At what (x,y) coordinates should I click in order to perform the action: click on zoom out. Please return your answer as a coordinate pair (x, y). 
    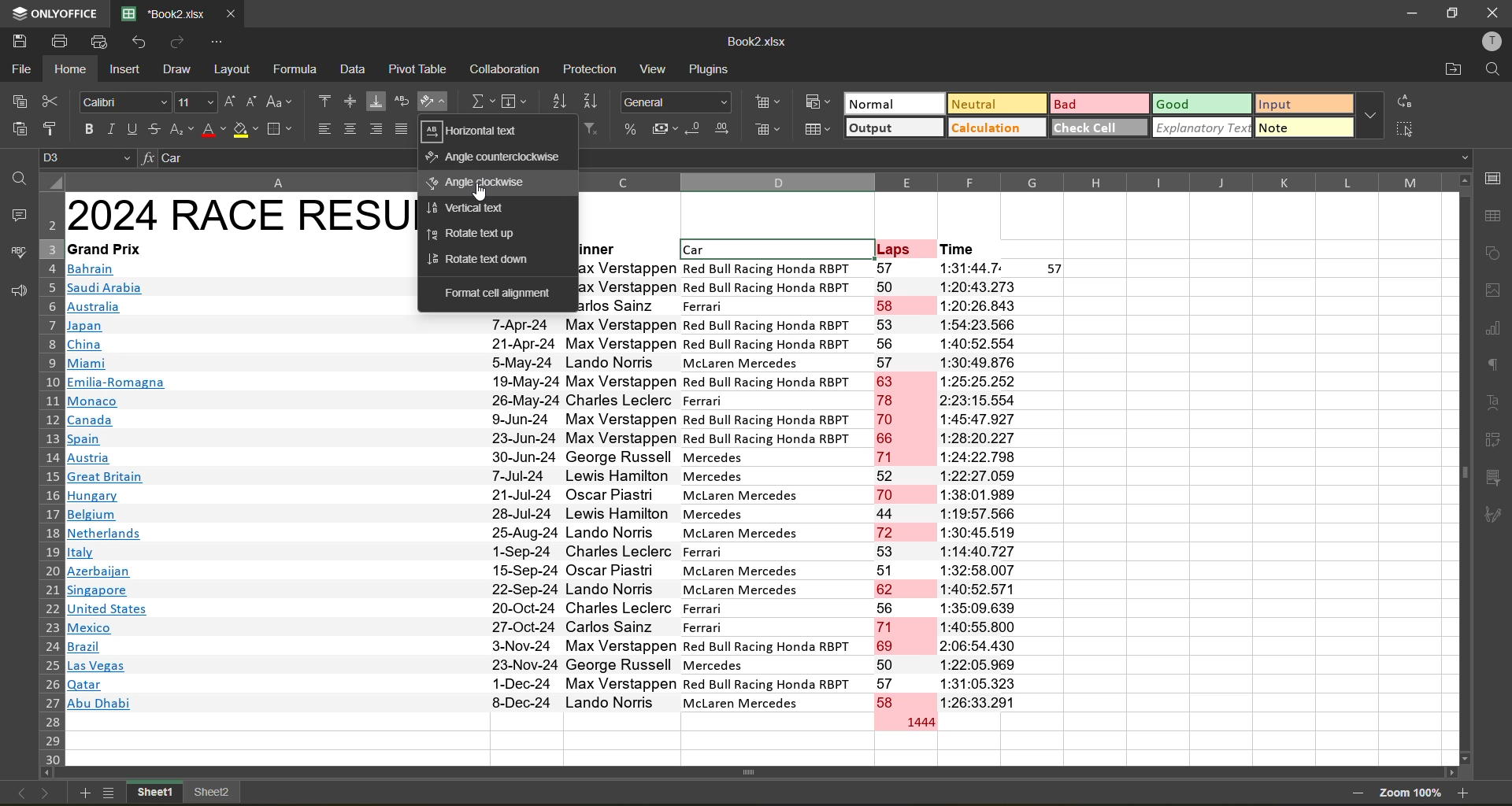
    Looking at the image, I should click on (1355, 792).